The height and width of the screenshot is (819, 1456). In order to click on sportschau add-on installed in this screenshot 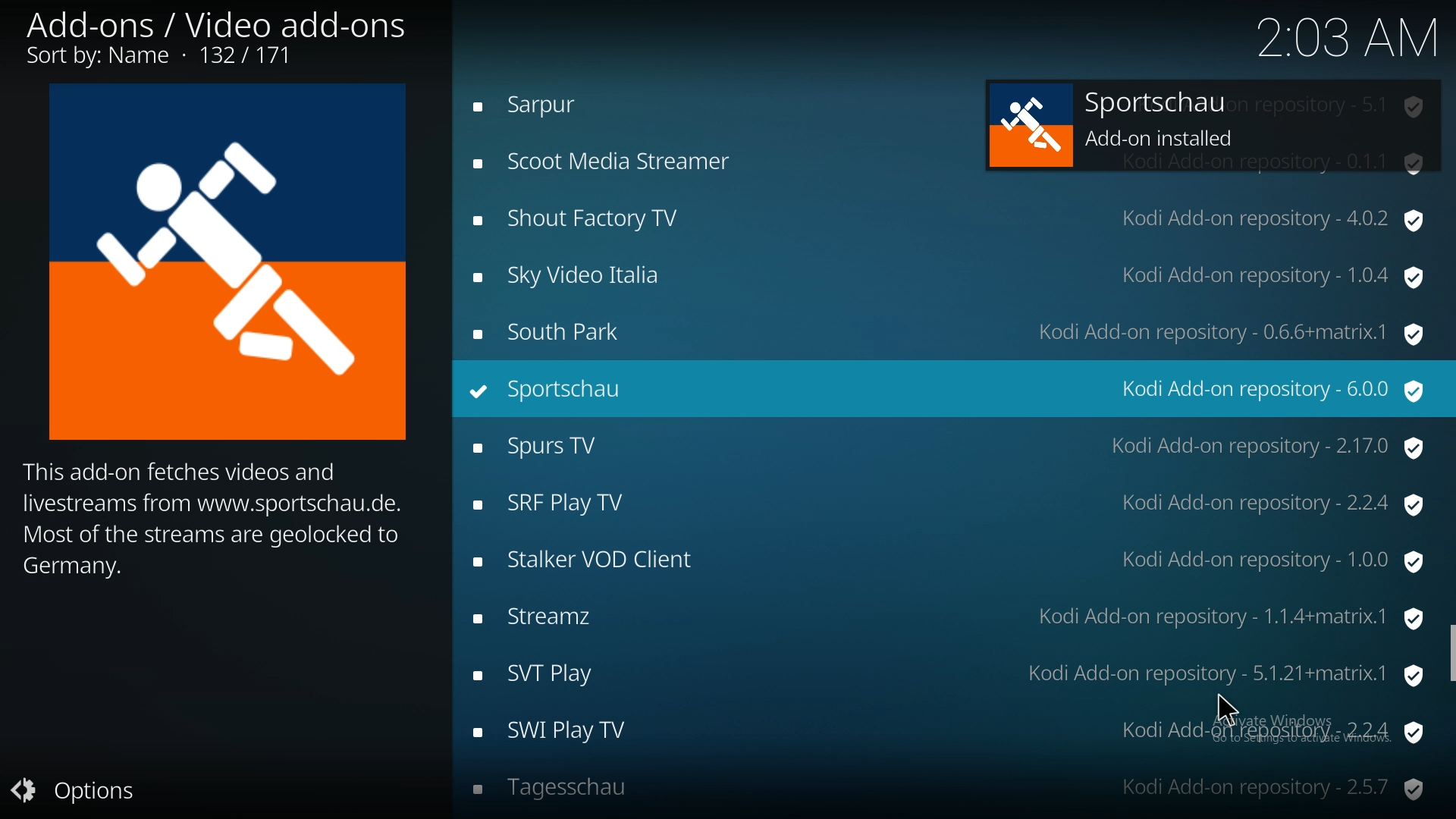, I will do `click(1211, 122)`.